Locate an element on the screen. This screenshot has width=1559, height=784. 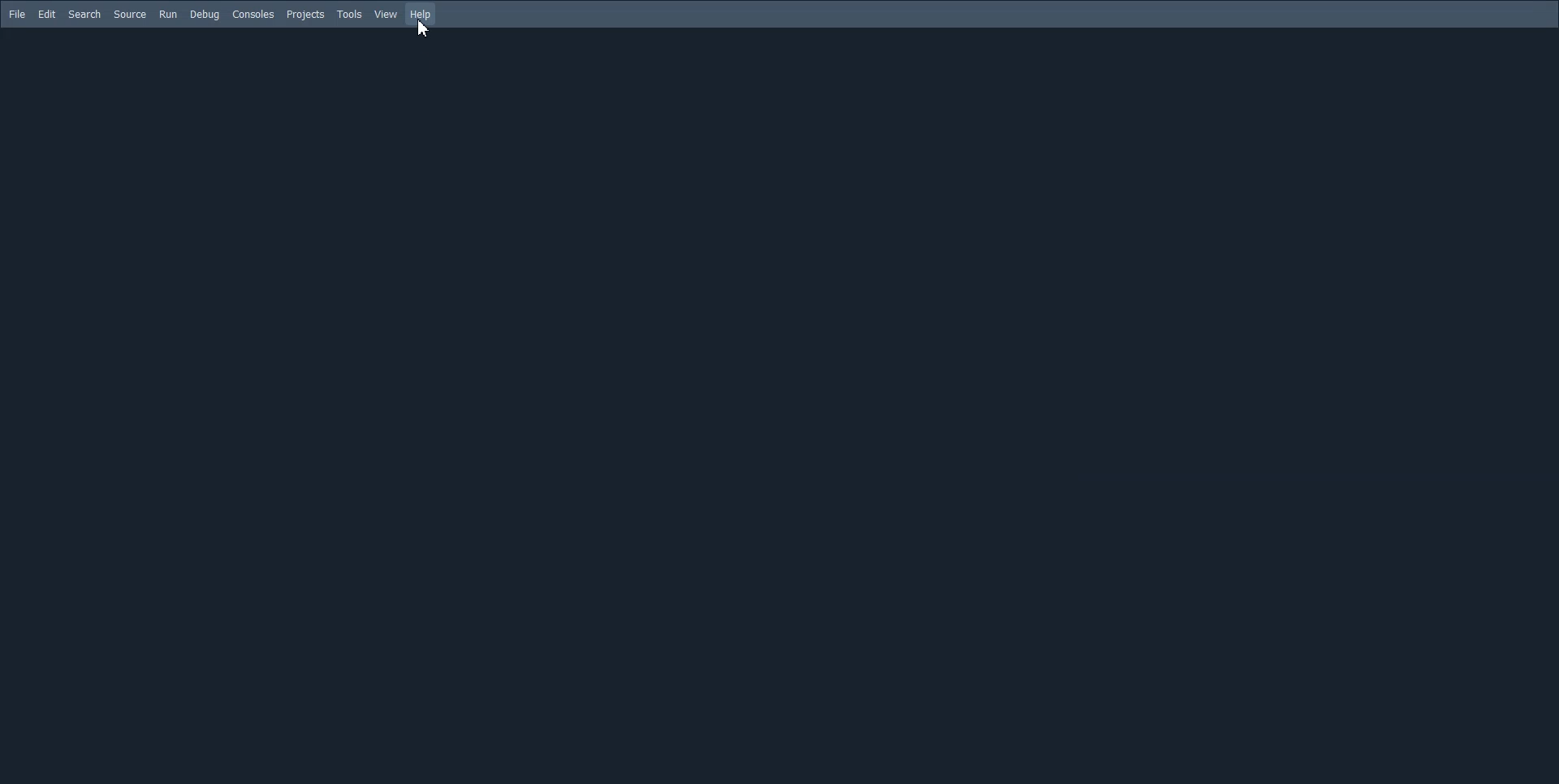
Consoles is located at coordinates (253, 14).